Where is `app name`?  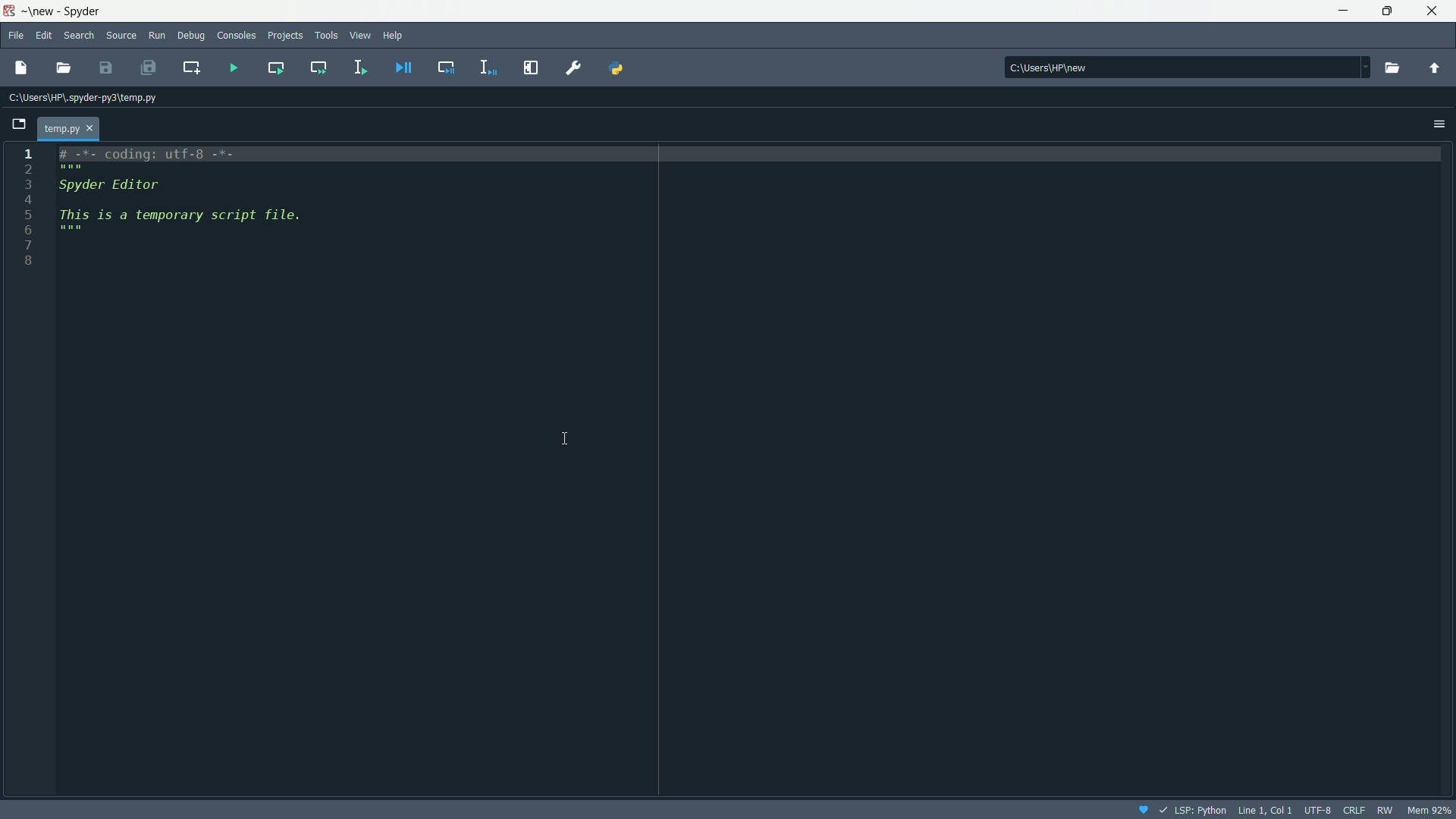 app name is located at coordinates (59, 12).